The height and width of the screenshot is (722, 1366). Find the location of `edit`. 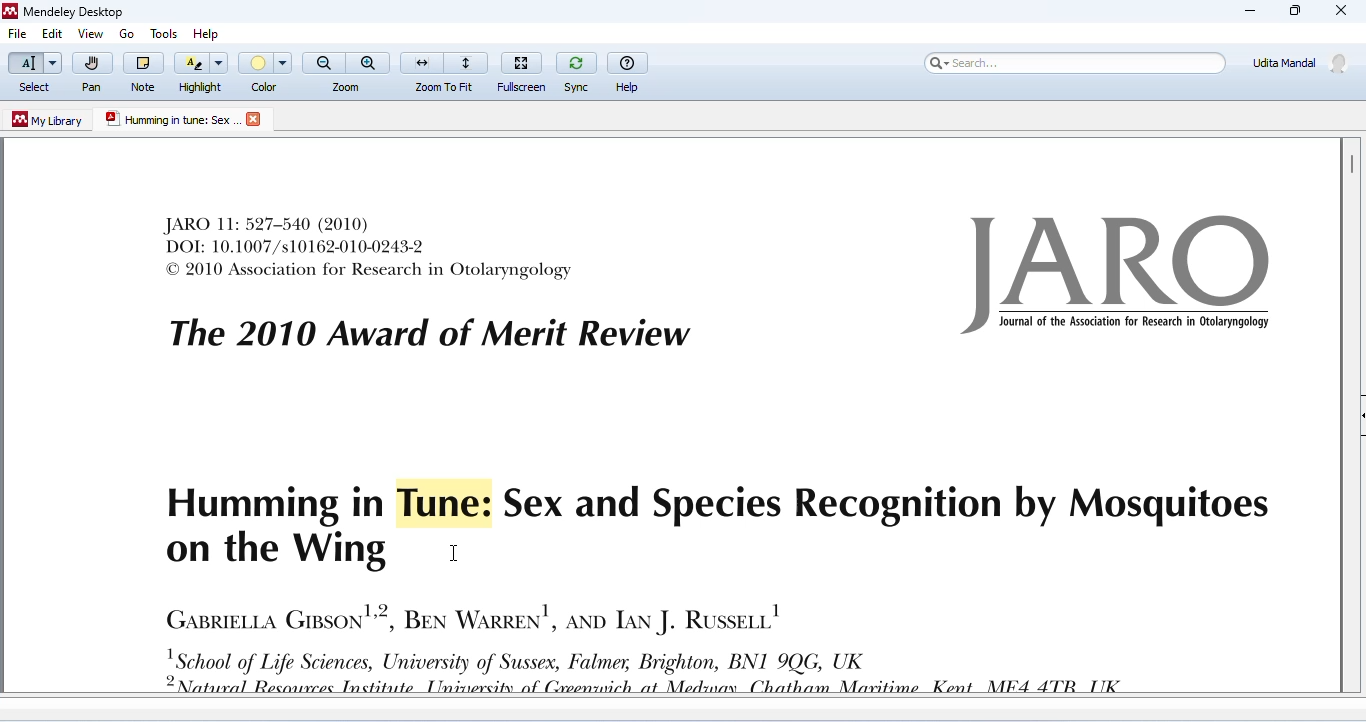

edit is located at coordinates (51, 35).